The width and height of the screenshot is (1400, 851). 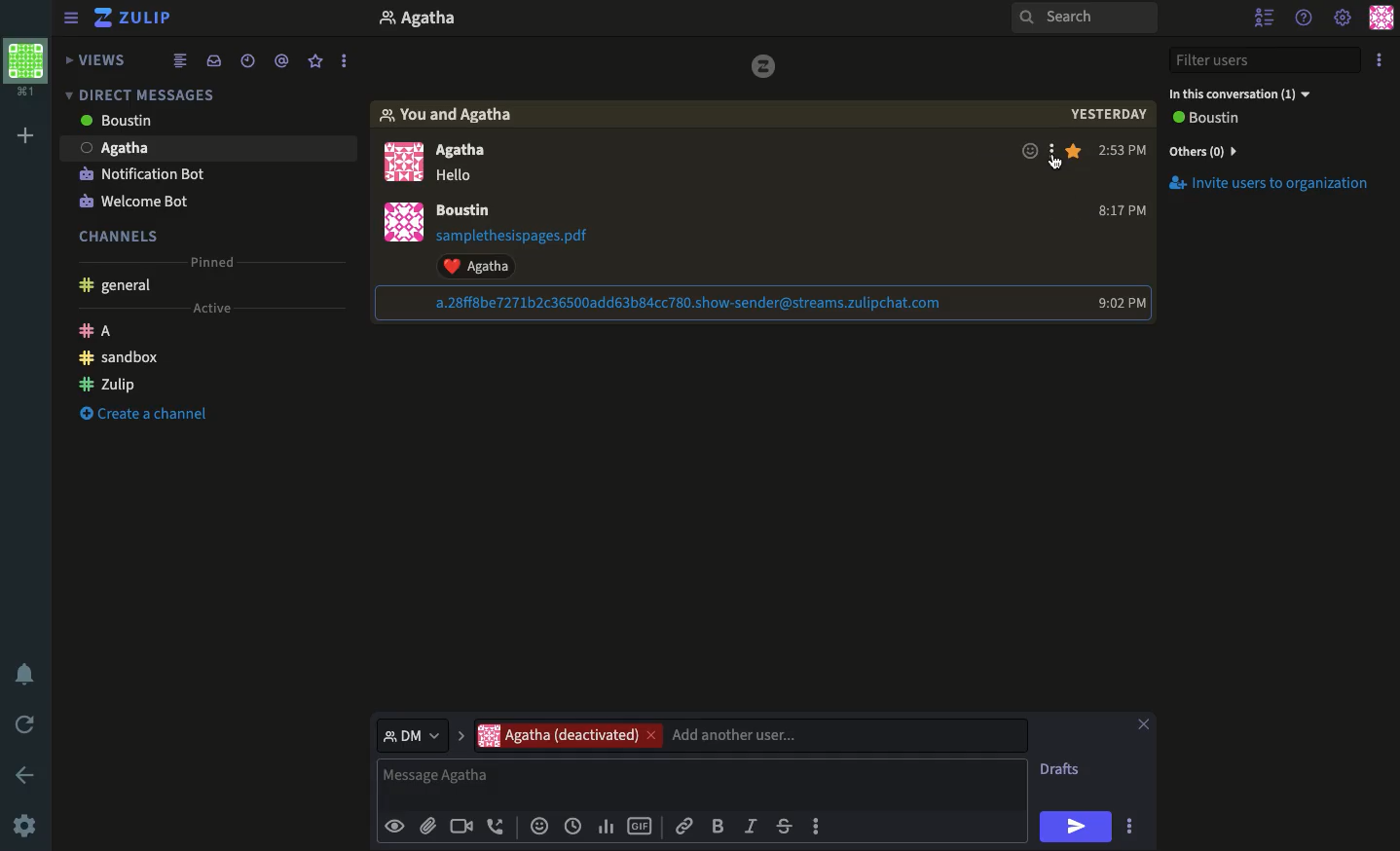 I want to click on Favorite, so click(x=316, y=62).